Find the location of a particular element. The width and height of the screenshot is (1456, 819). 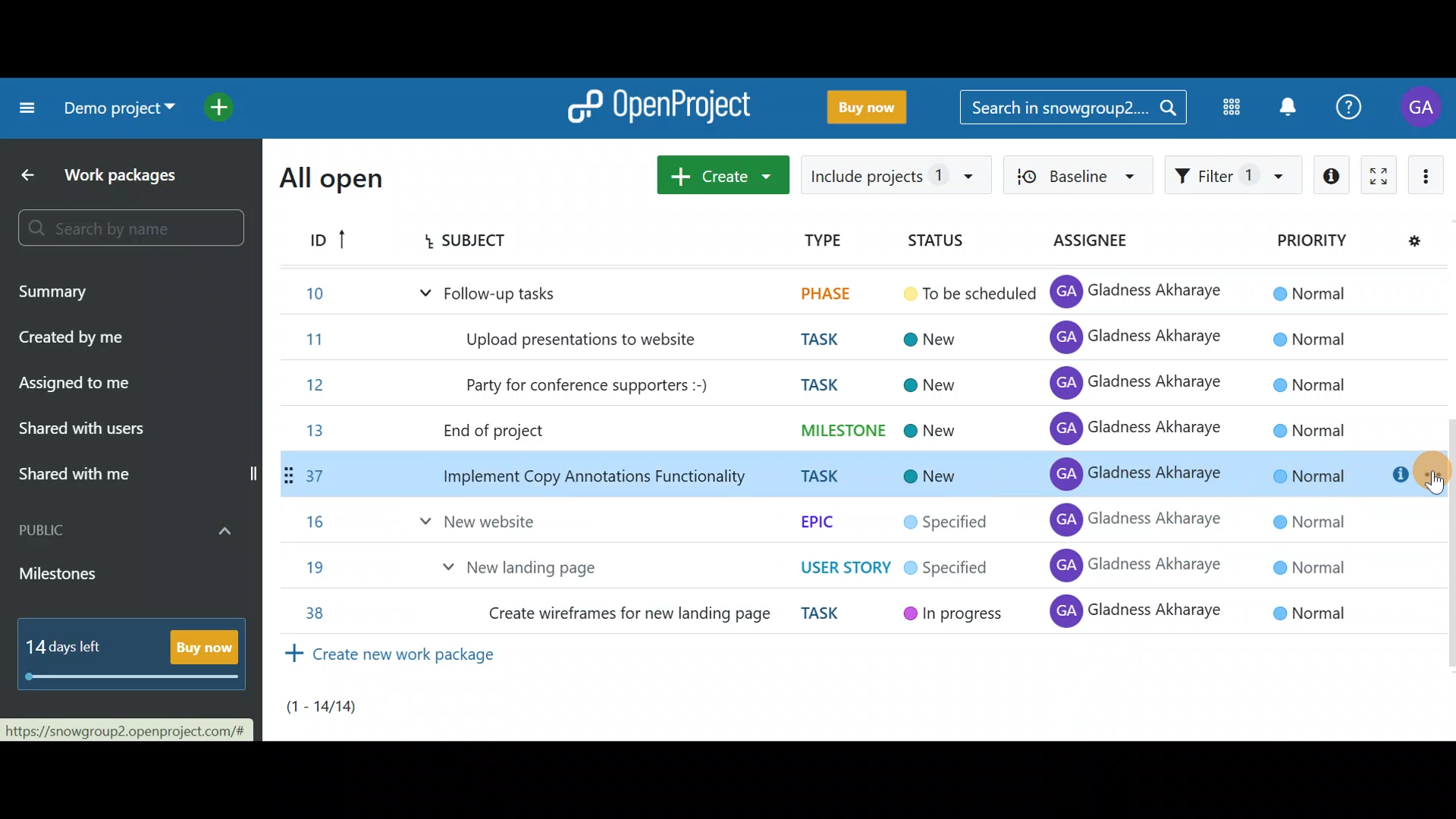

New website is located at coordinates (489, 521).